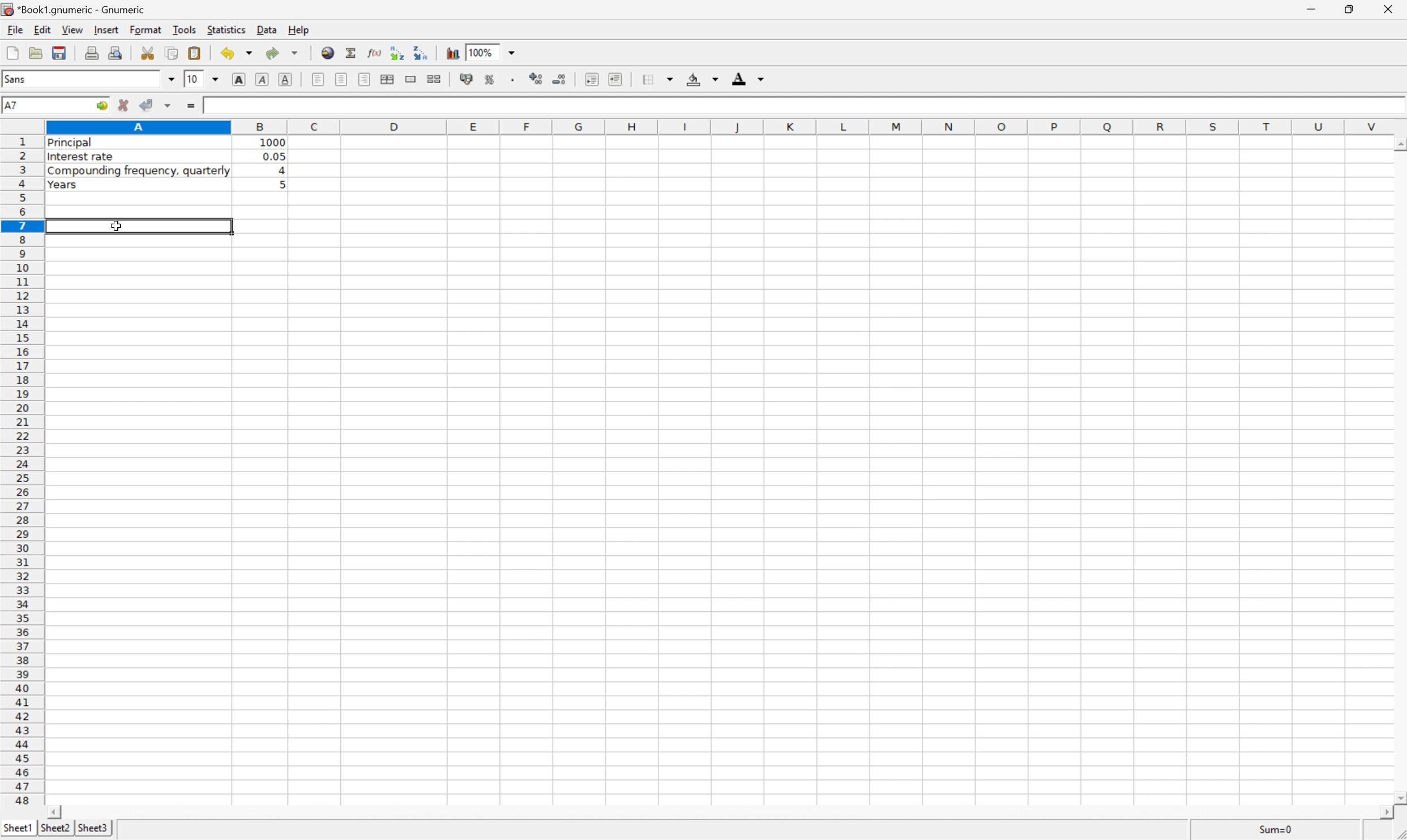  I want to click on Align right, so click(364, 79).